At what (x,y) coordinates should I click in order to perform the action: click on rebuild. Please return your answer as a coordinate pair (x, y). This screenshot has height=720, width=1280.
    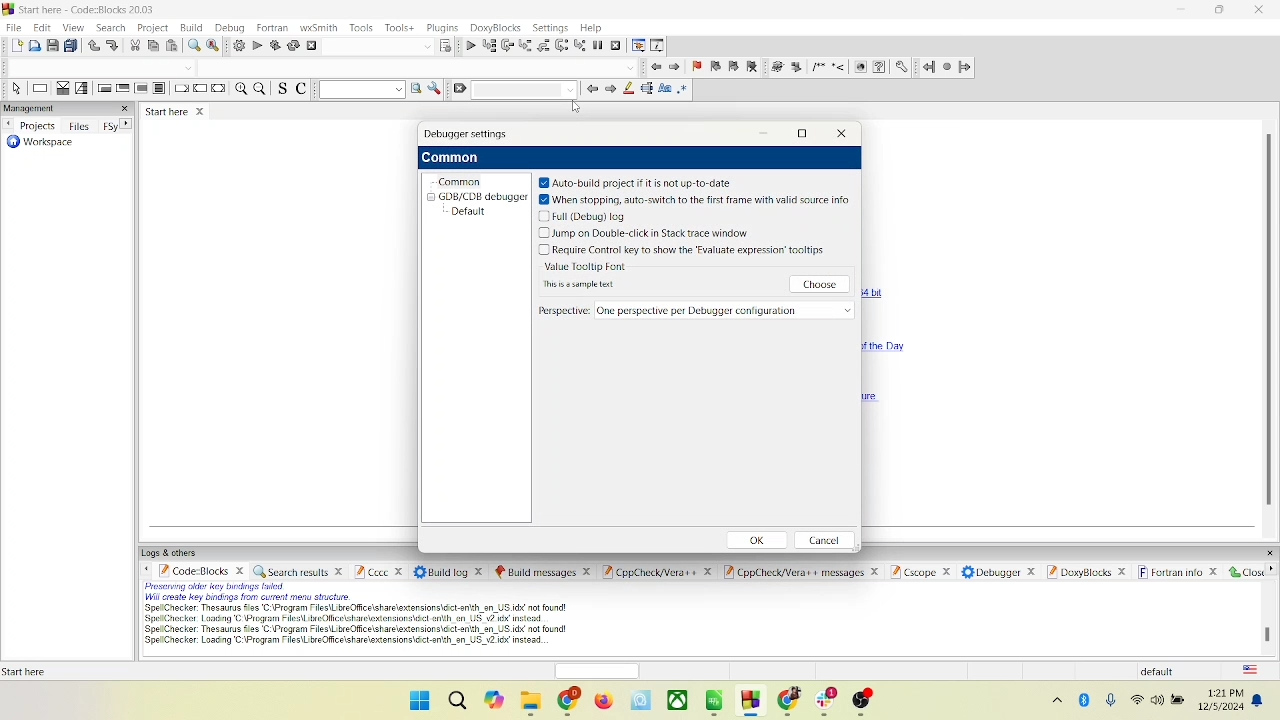
    Looking at the image, I should click on (293, 47).